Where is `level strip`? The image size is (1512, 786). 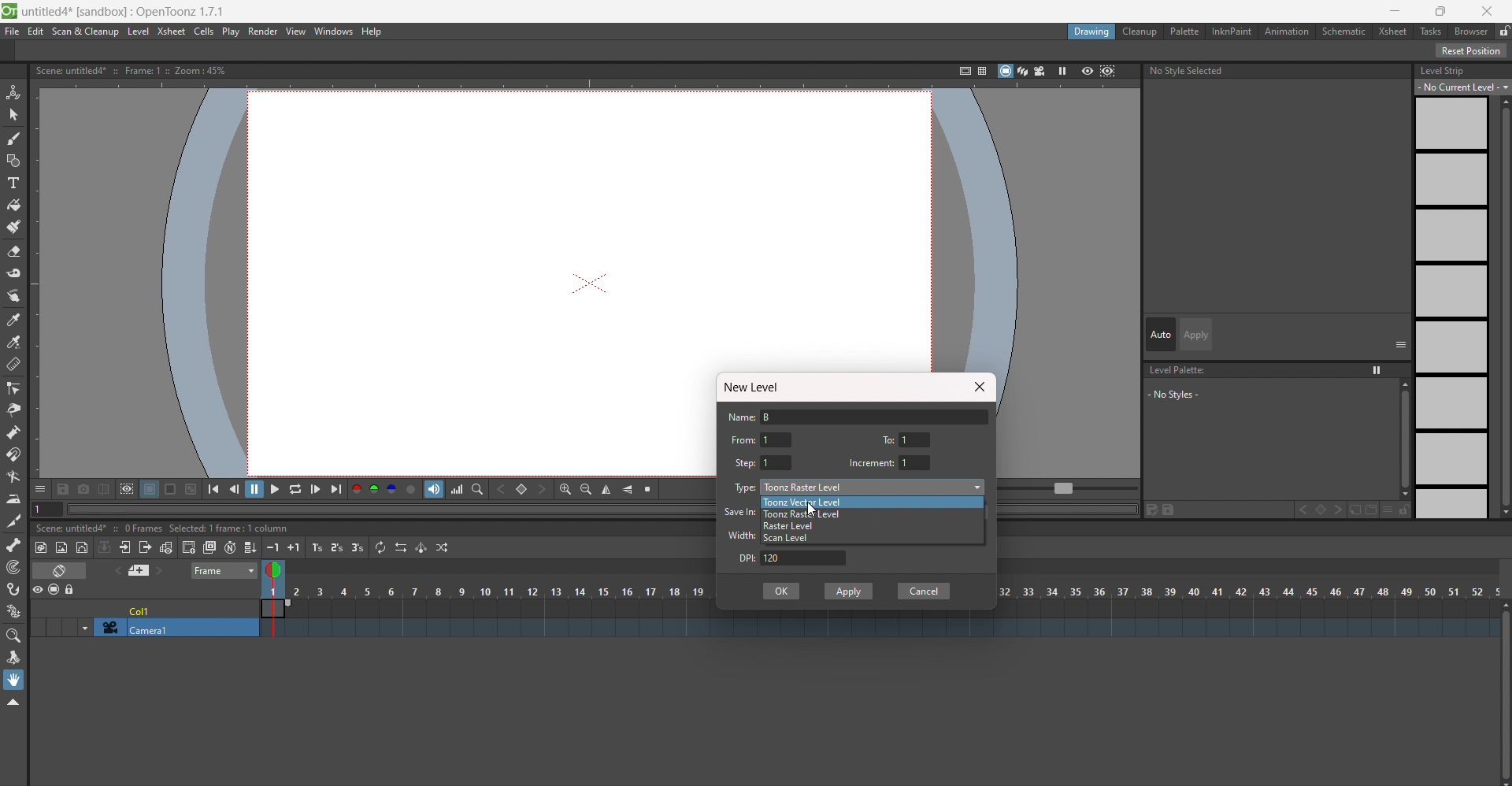 level strip is located at coordinates (1443, 70).